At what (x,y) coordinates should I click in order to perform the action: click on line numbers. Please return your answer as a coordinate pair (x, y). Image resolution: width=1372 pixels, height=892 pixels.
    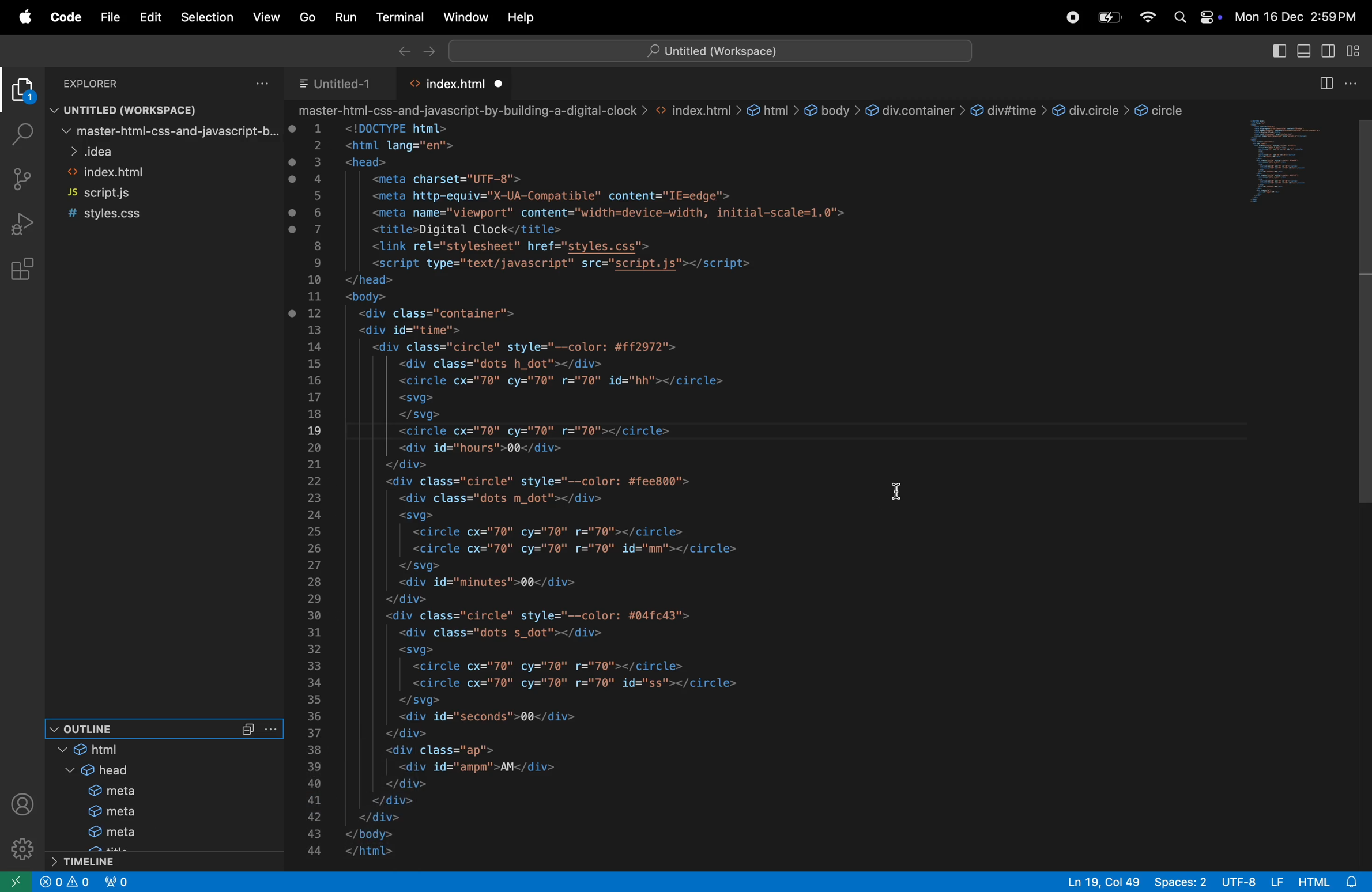
    Looking at the image, I should click on (315, 490).